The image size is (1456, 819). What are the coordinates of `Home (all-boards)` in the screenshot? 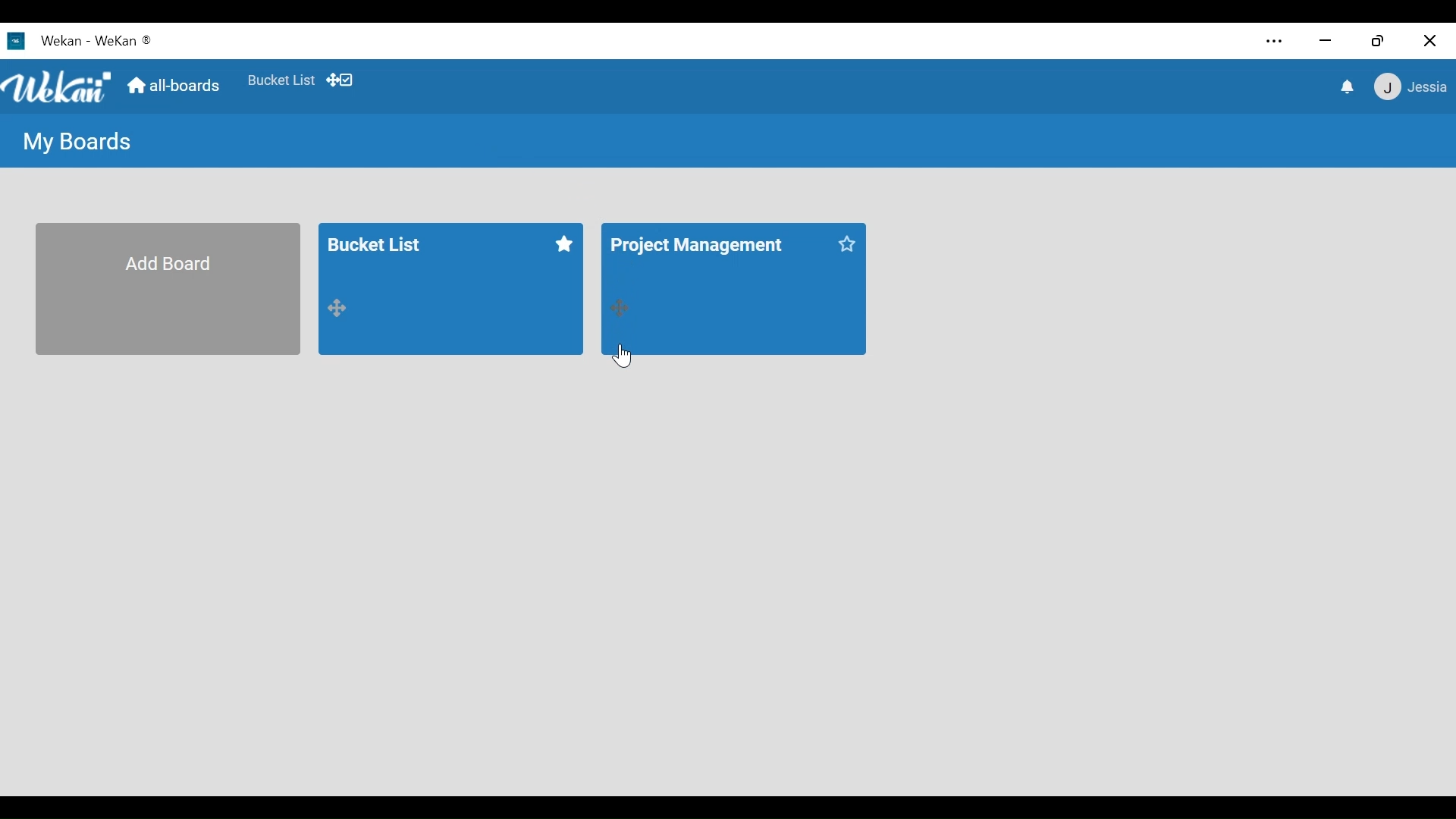 It's located at (176, 86).